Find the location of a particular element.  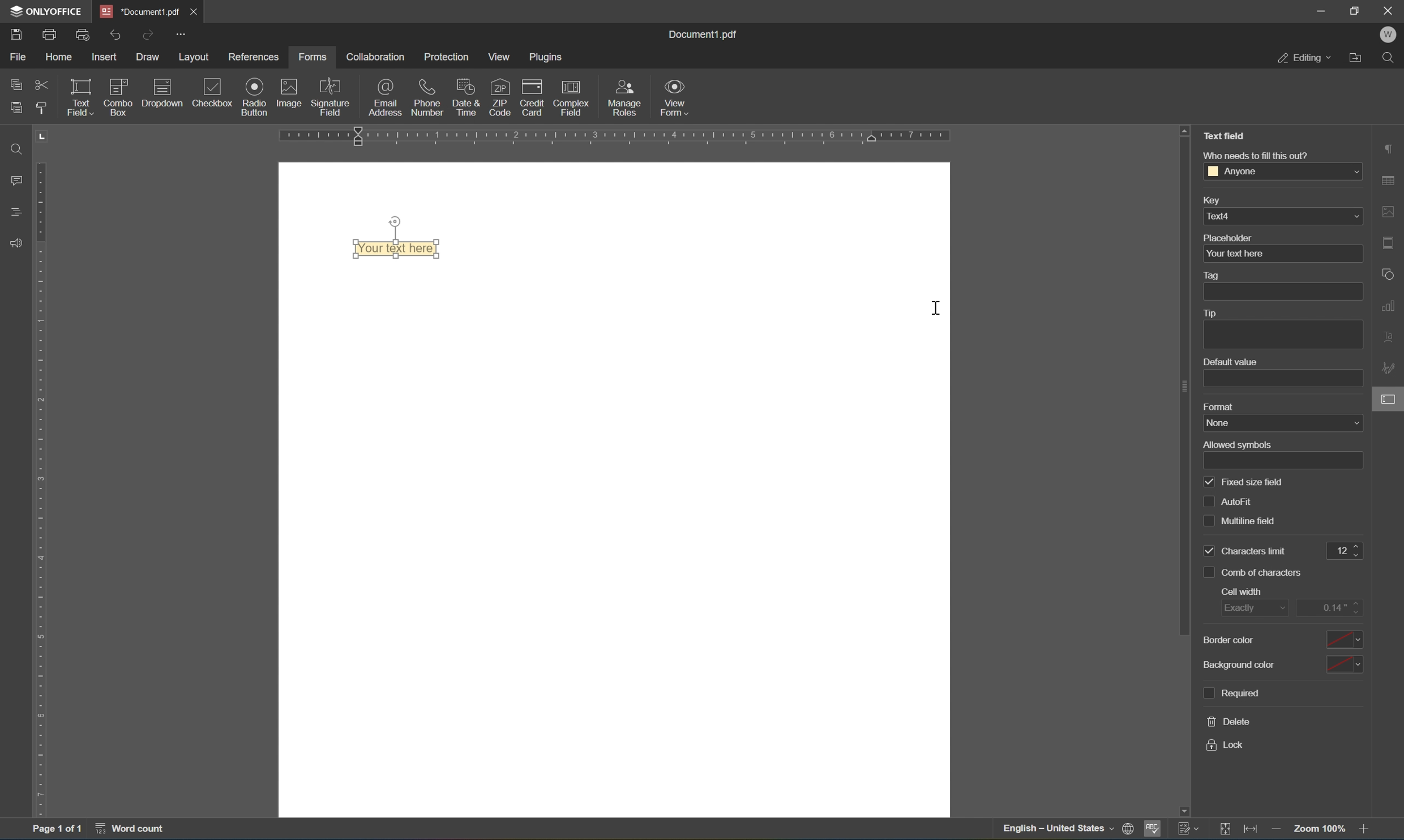

key is located at coordinates (1215, 200).